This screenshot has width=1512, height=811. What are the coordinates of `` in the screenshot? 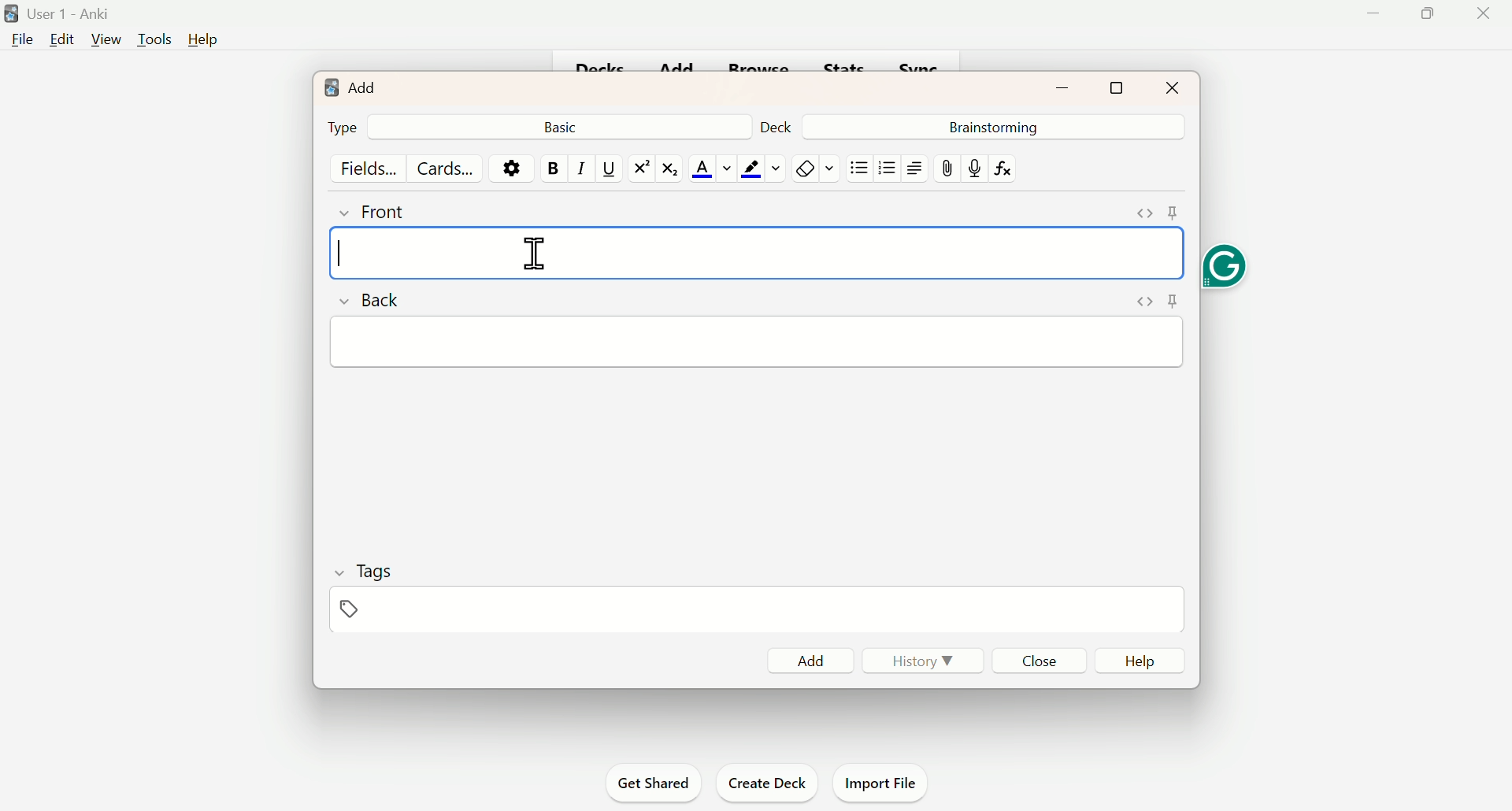 It's located at (642, 167).